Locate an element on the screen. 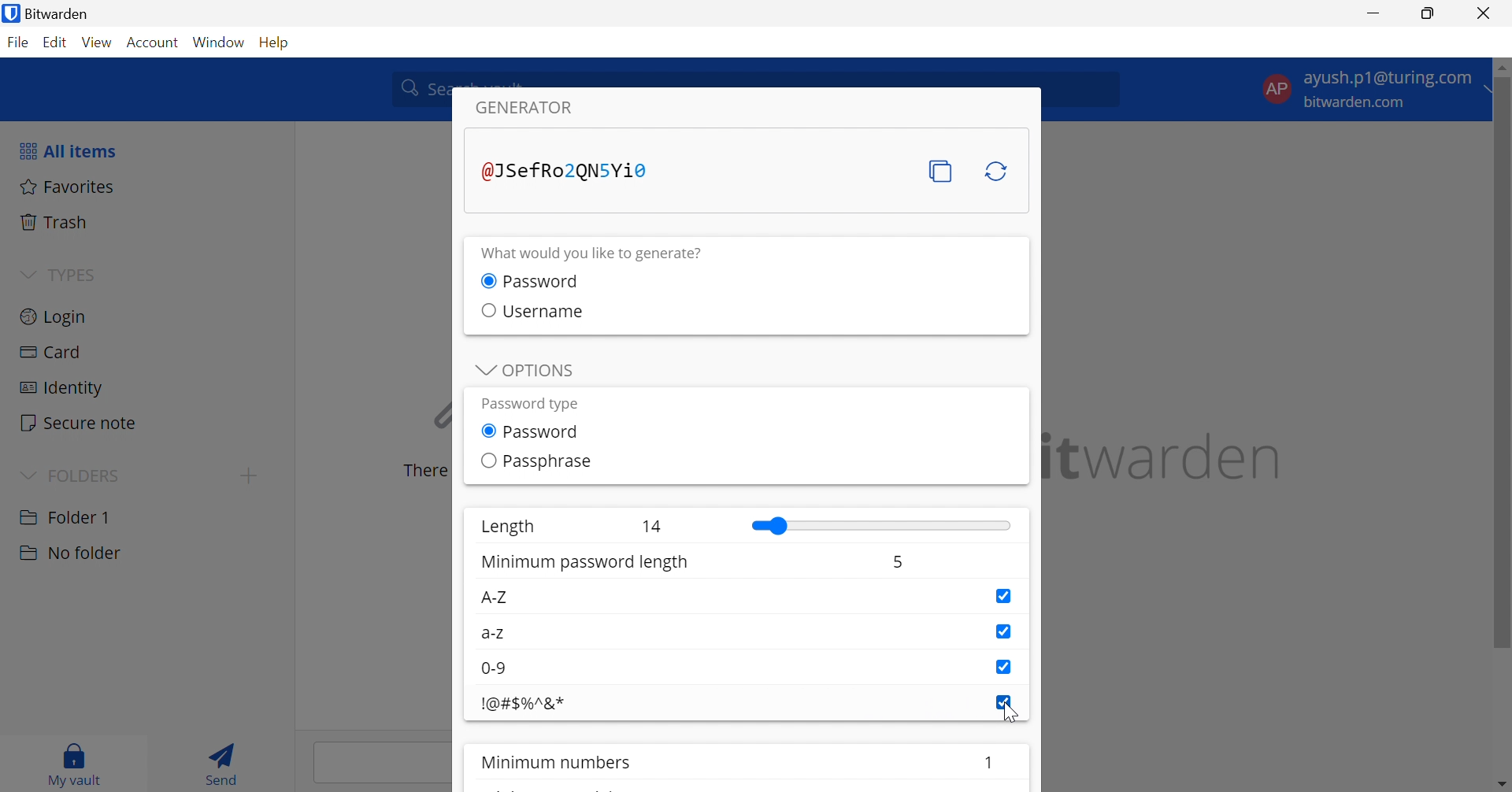  Copy password is located at coordinates (942, 172).